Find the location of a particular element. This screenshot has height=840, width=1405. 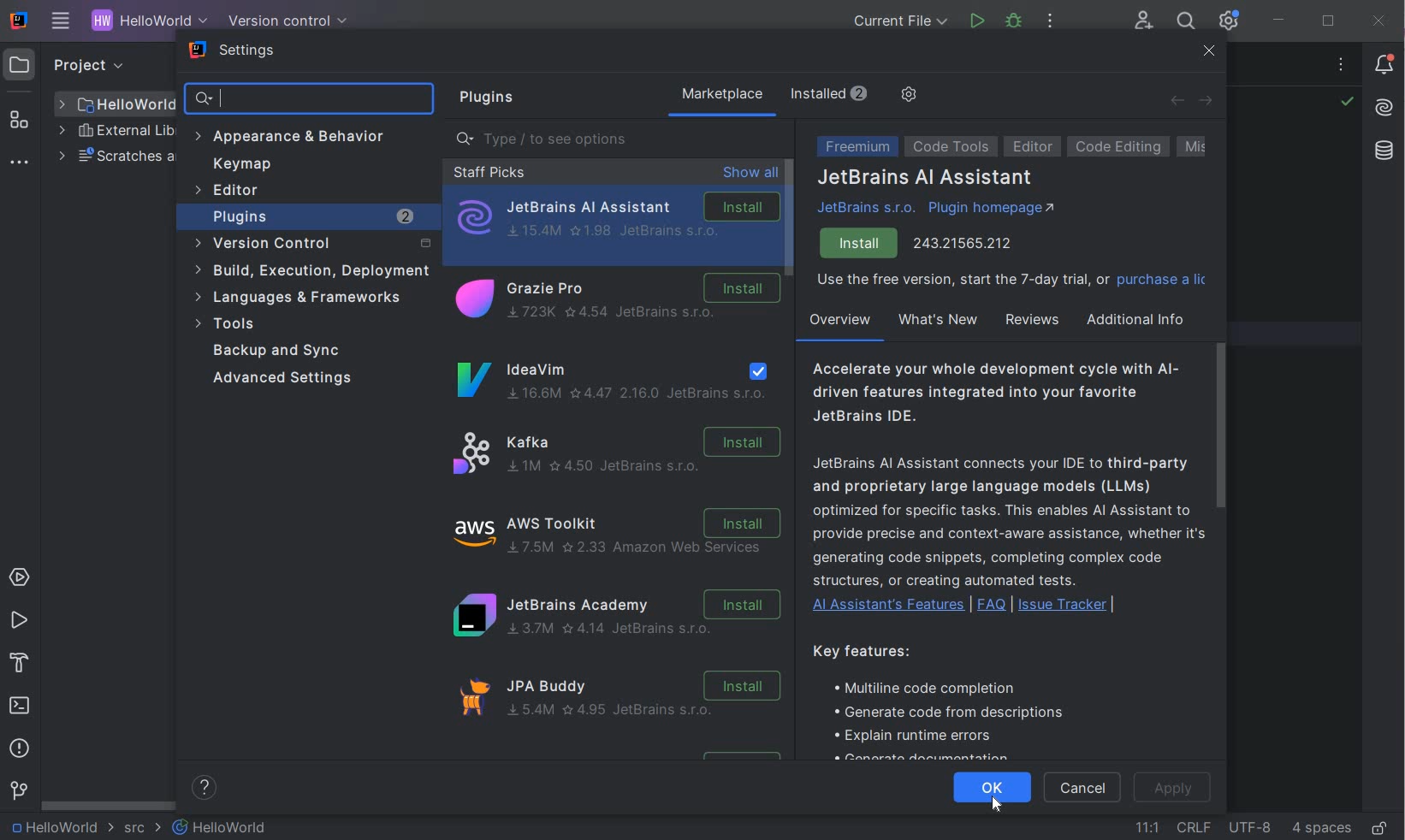

NOTIFICATIONS is located at coordinates (1385, 63).